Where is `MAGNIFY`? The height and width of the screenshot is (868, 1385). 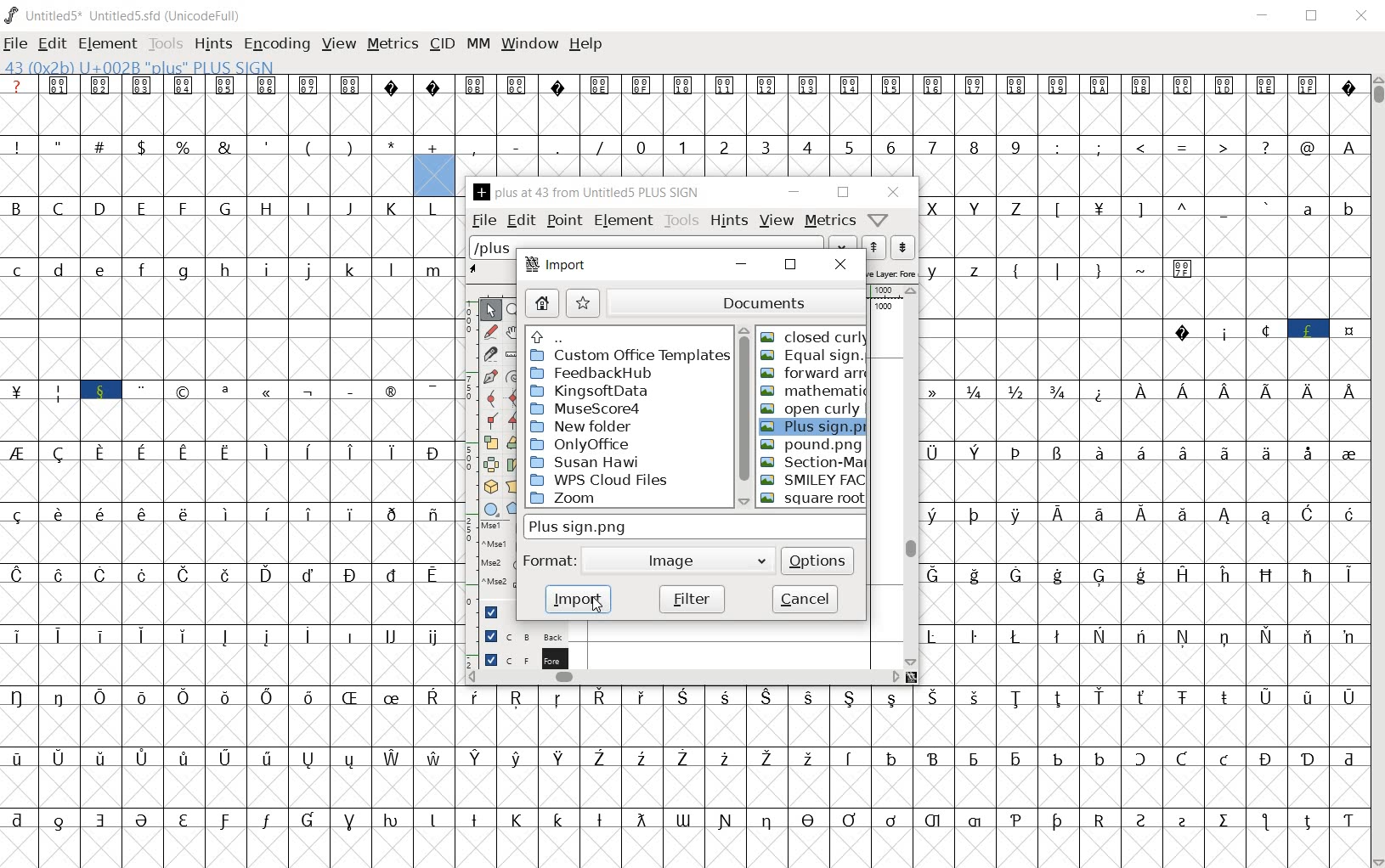
MAGNIFY is located at coordinates (514, 312).